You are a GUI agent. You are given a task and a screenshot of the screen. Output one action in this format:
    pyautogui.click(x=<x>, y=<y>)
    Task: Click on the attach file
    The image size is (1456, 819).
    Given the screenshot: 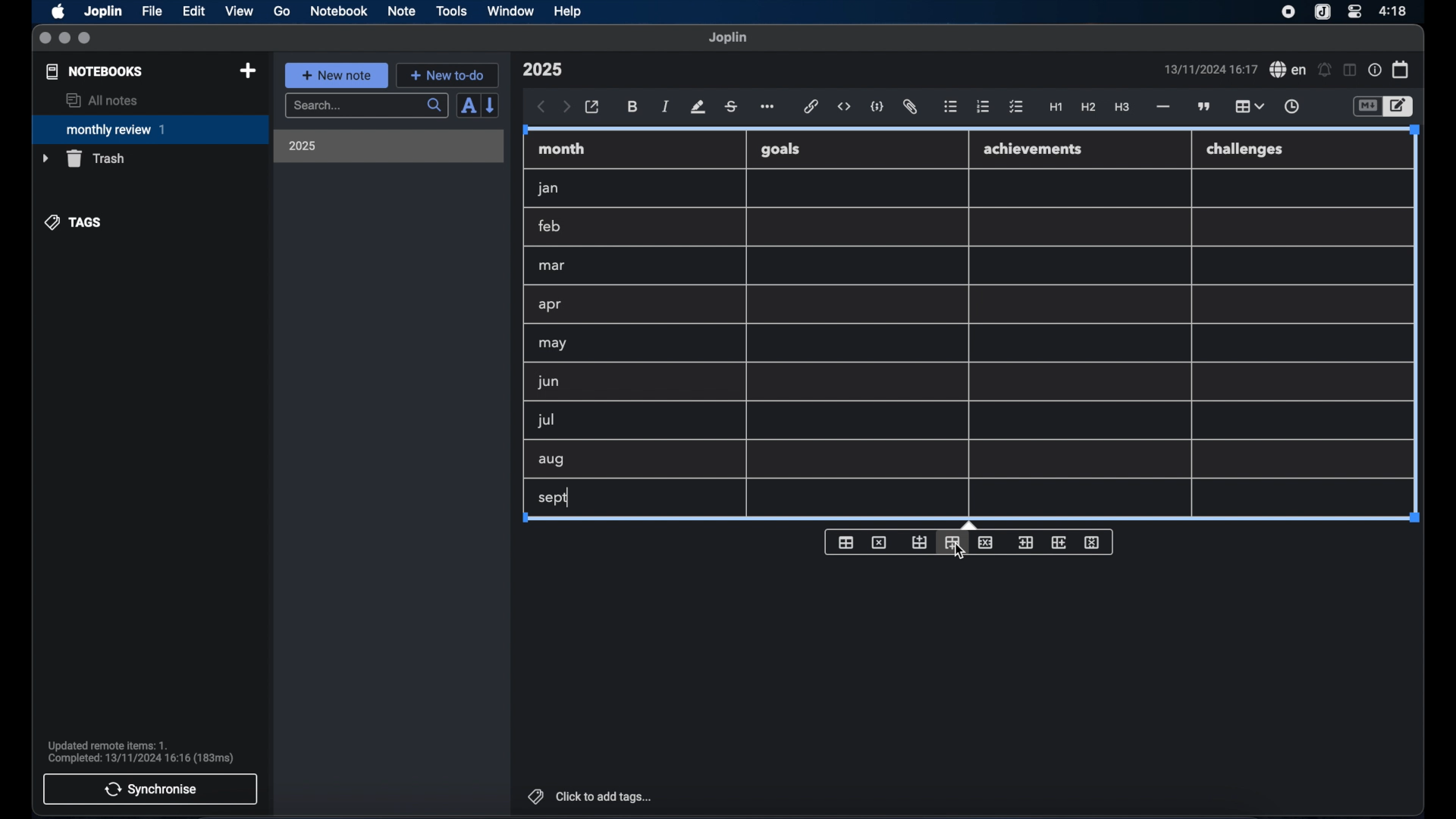 What is the action you would take?
    pyautogui.click(x=910, y=107)
    